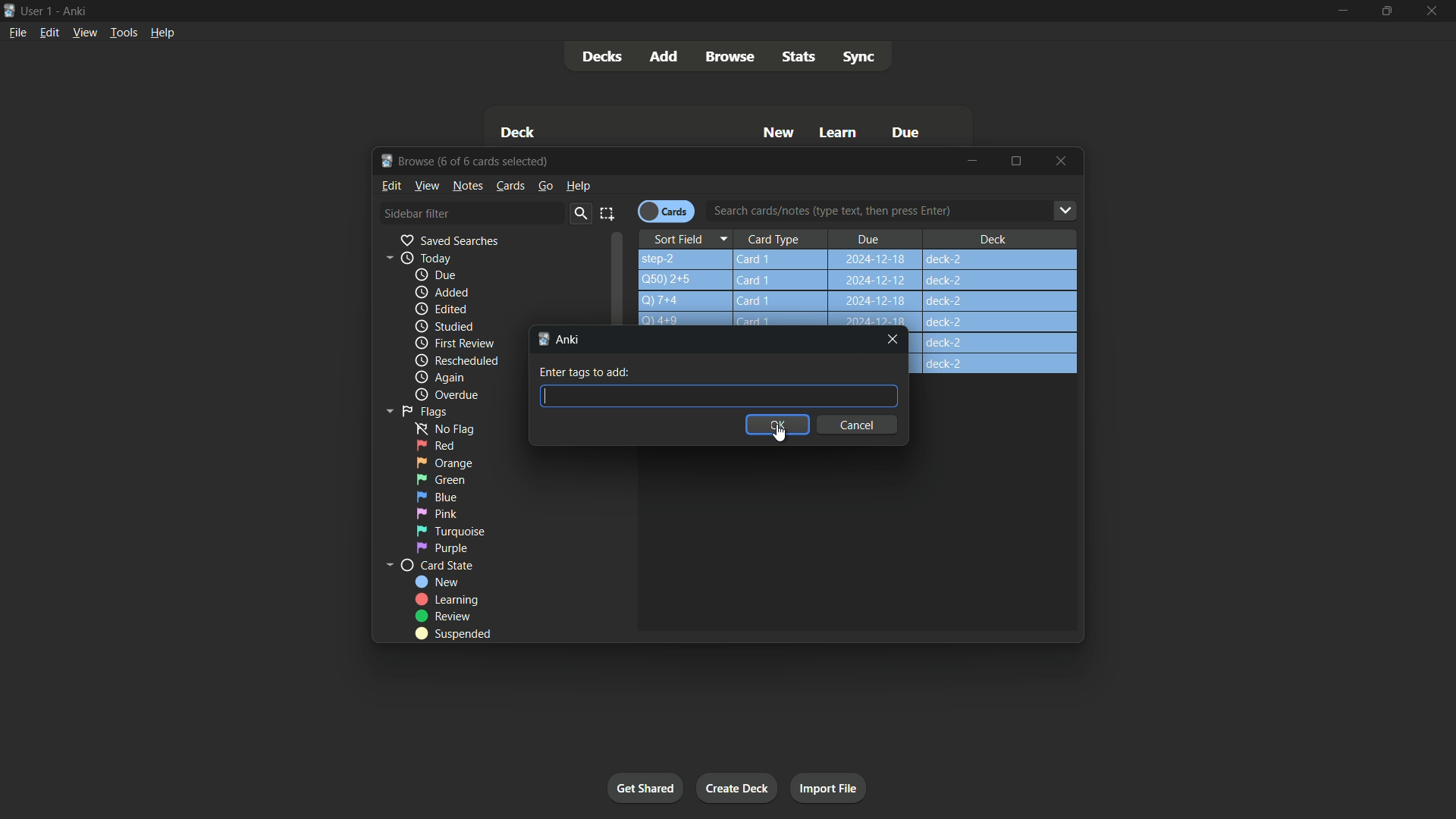 The image size is (1456, 819). Describe the element at coordinates (608, 213) in the screenshot. I see `select` at that location.